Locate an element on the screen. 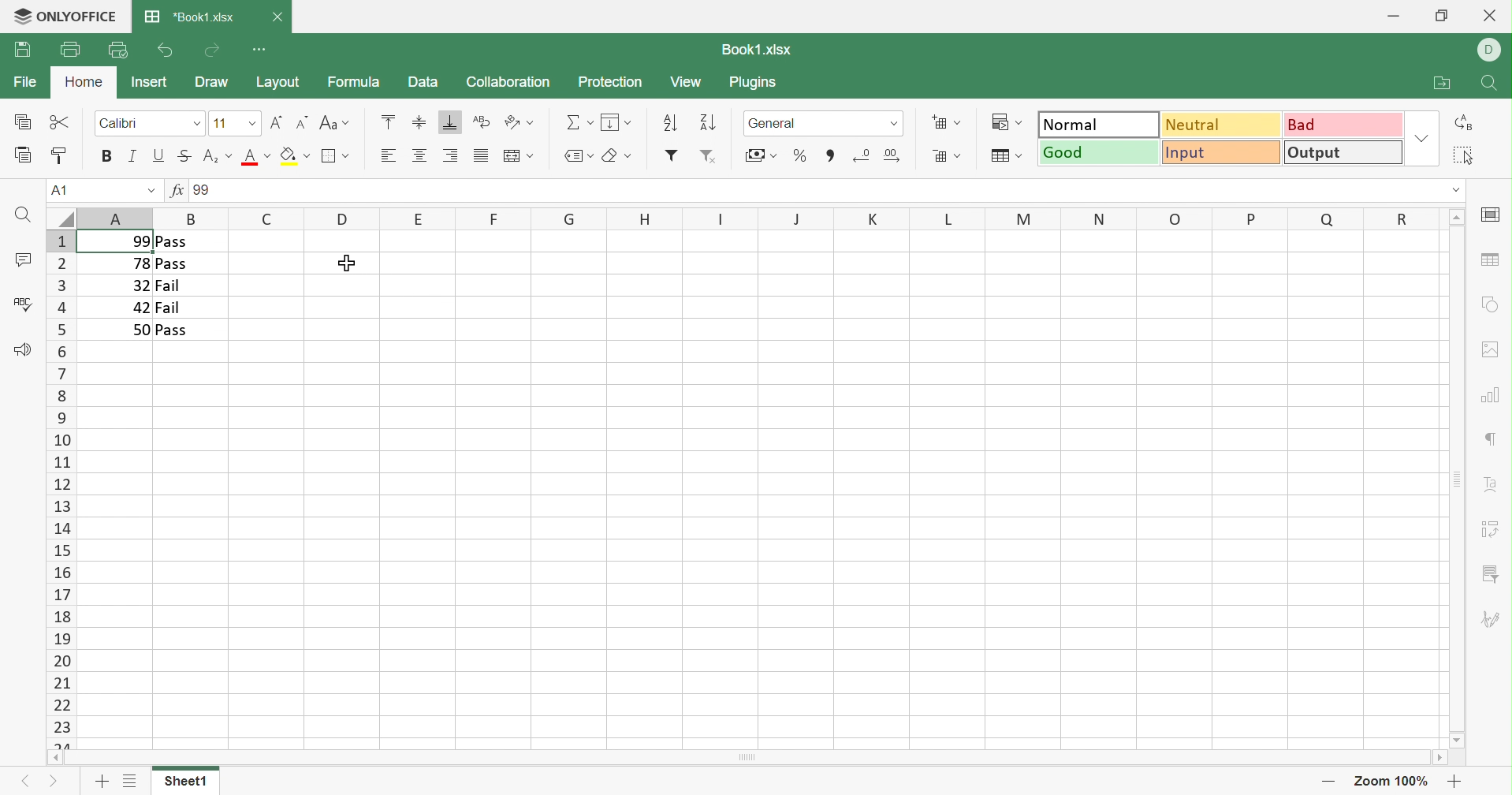  fx is located at coordinates (178, 191).